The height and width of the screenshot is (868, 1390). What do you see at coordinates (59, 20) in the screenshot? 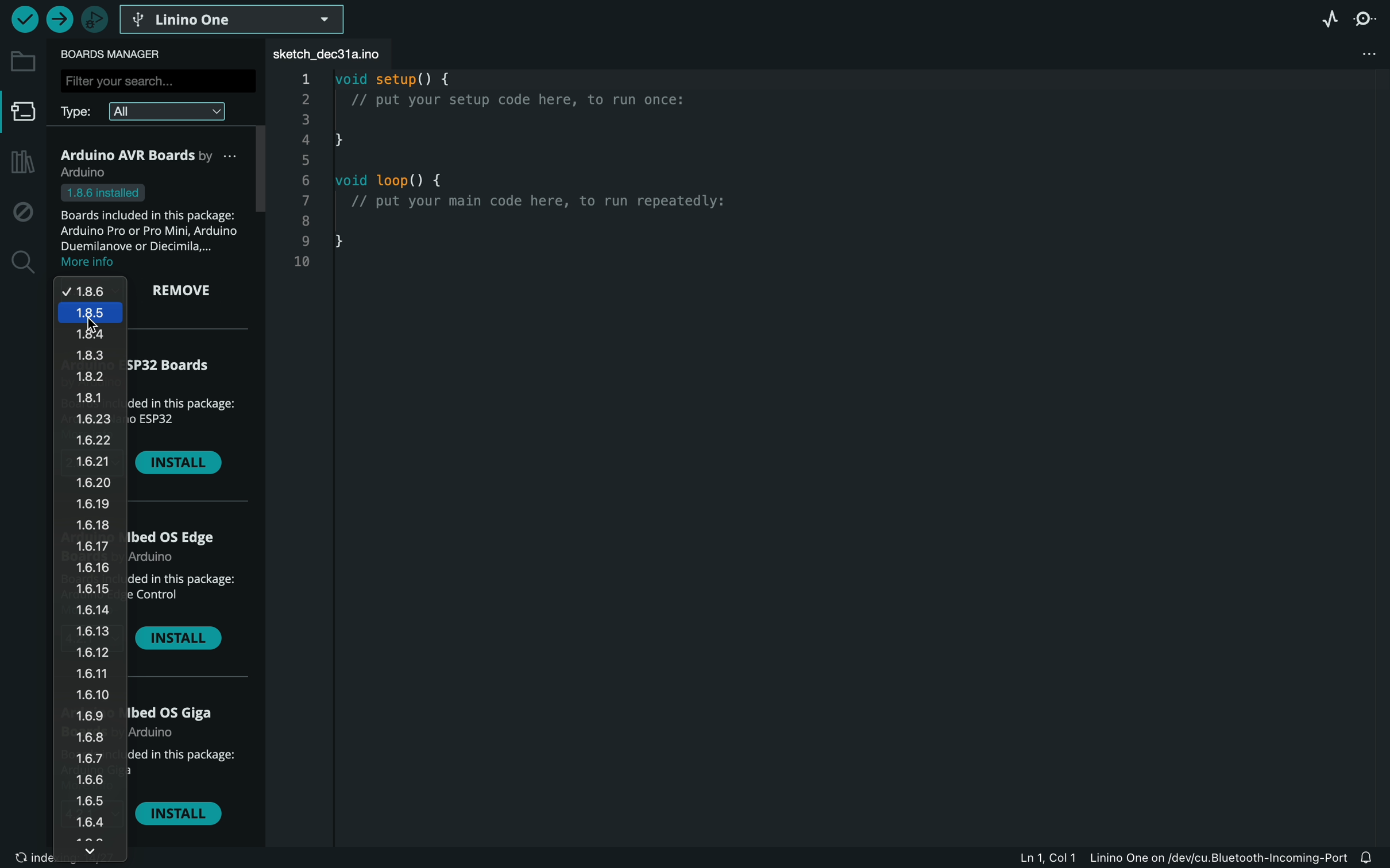
I see `upload` at bounding box center [59, 20].